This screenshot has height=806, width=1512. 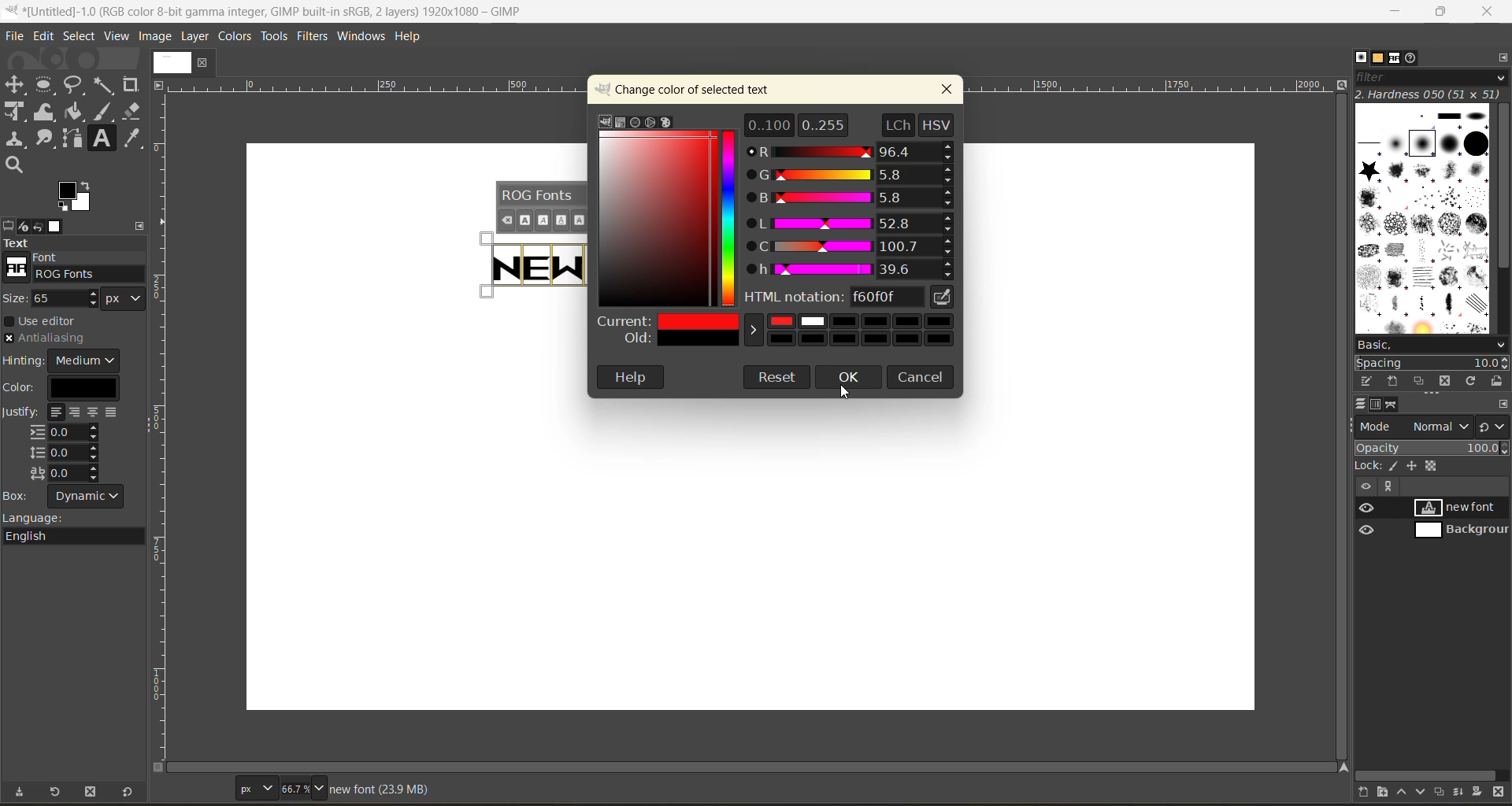 I want to click on open brush as image, so click(x=1499, y=383).